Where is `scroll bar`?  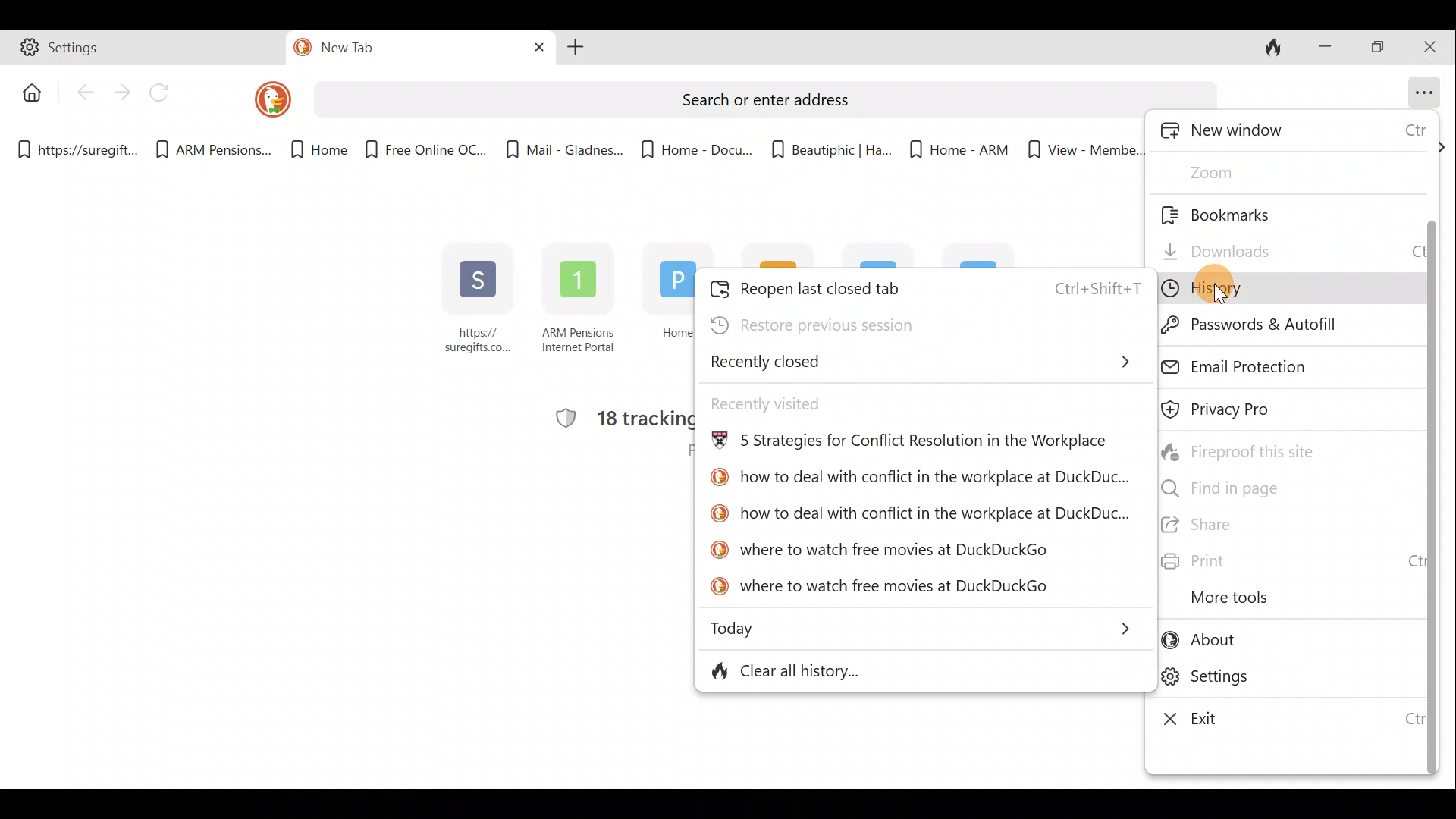
scroll bar is located at coordinates (1430, 467).